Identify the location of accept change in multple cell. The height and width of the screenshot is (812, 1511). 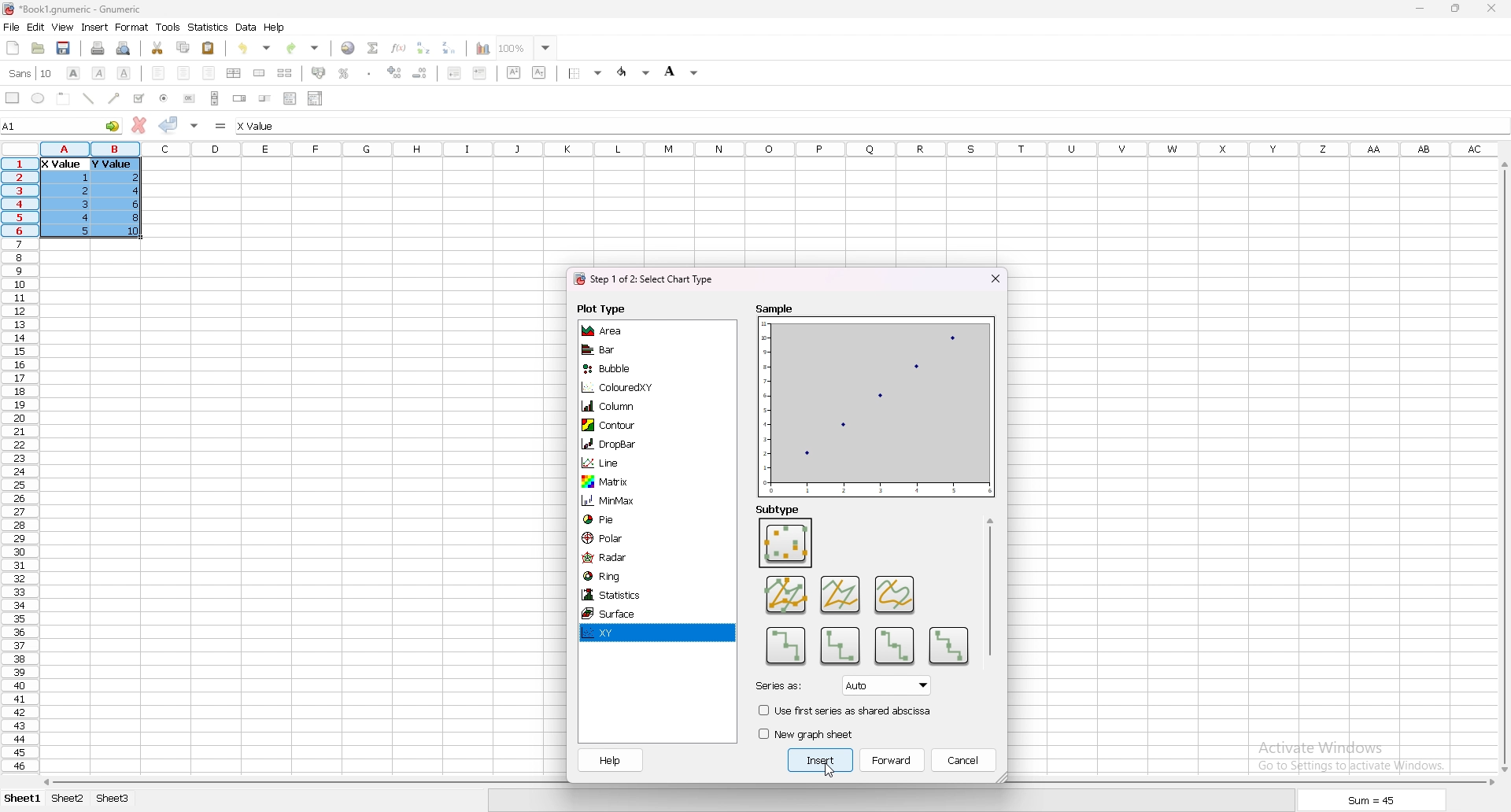
(196, 124).